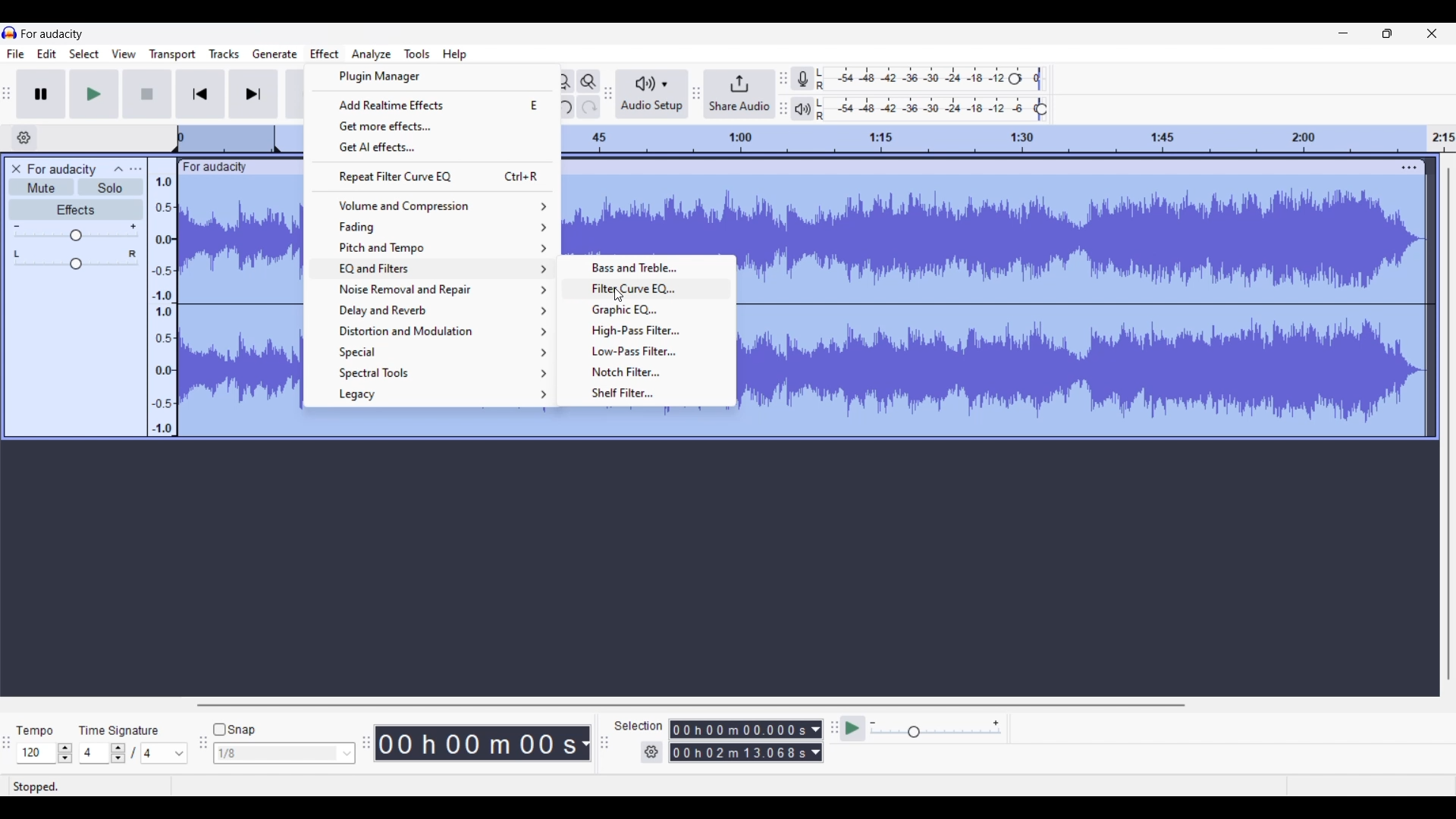  Describe the element at coordinates (652, 94) in the screenshot. I see `Audio setup` at that location.